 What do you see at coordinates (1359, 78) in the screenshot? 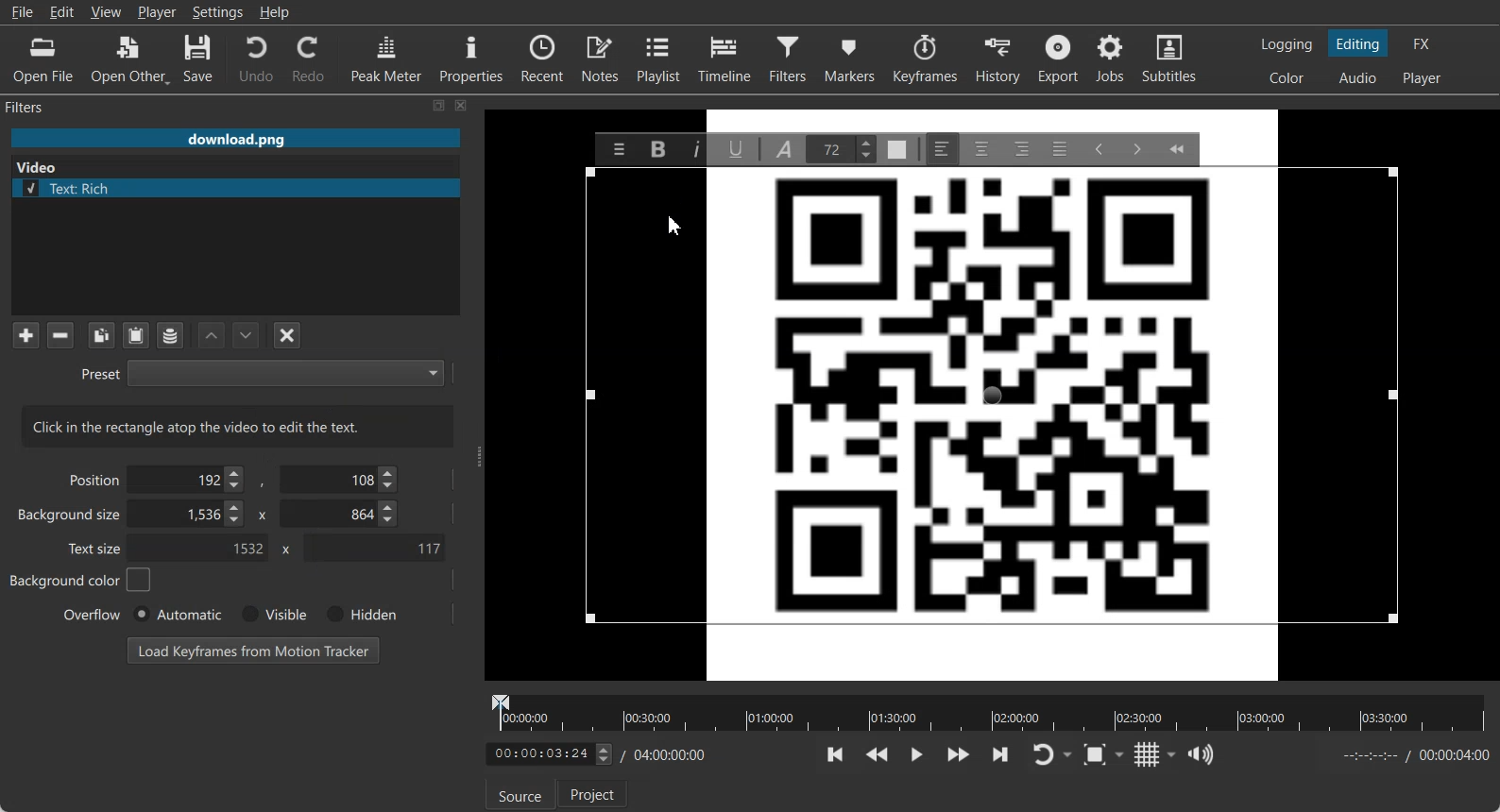
I see `Switching to the Audio layout` at bounding box center [1359, 78].